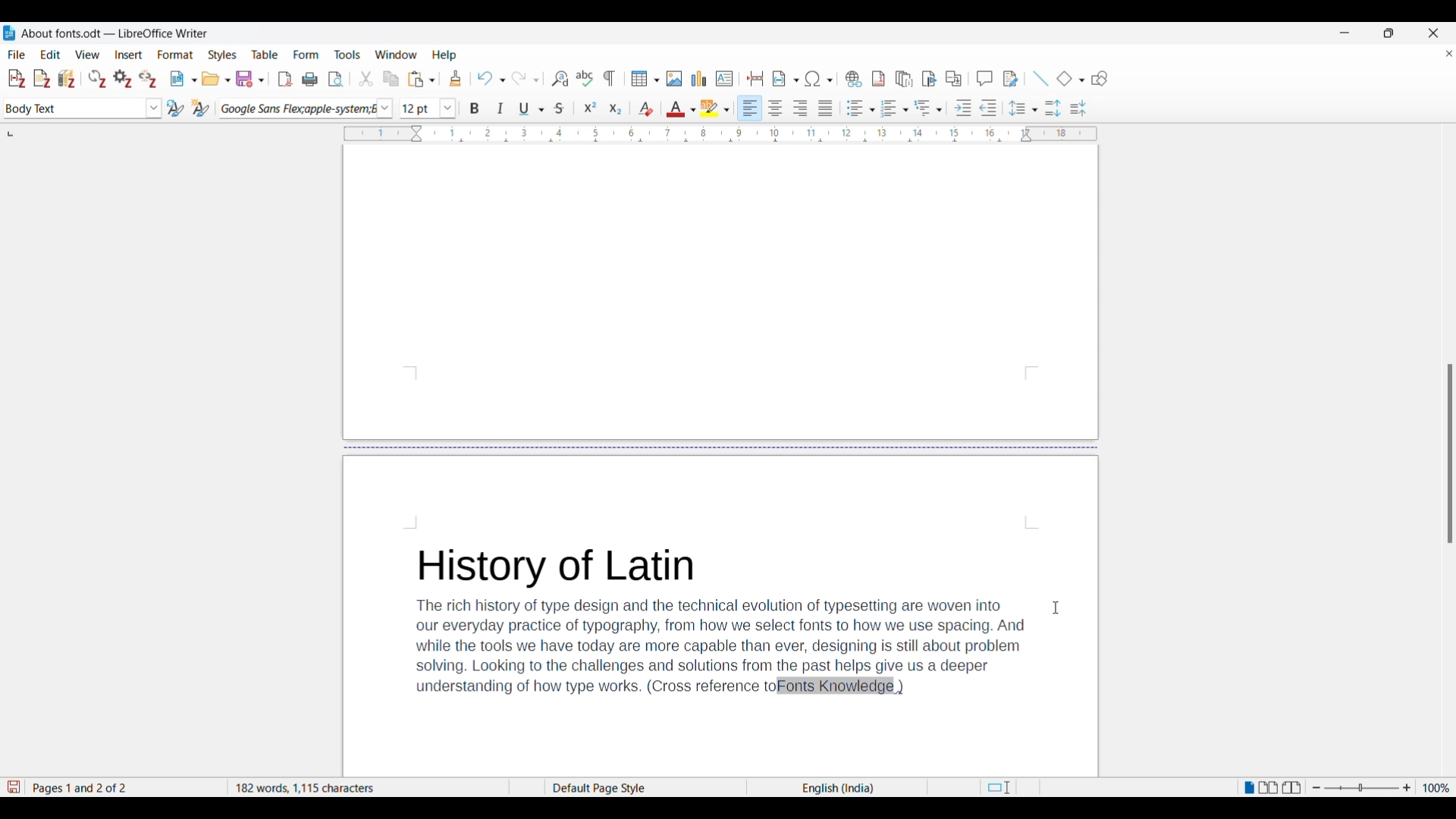 The image size is (1456, 819). Describe the element at coordinates (610, 78) in the screenshot. I see `Toggle formatting marks` at that location.